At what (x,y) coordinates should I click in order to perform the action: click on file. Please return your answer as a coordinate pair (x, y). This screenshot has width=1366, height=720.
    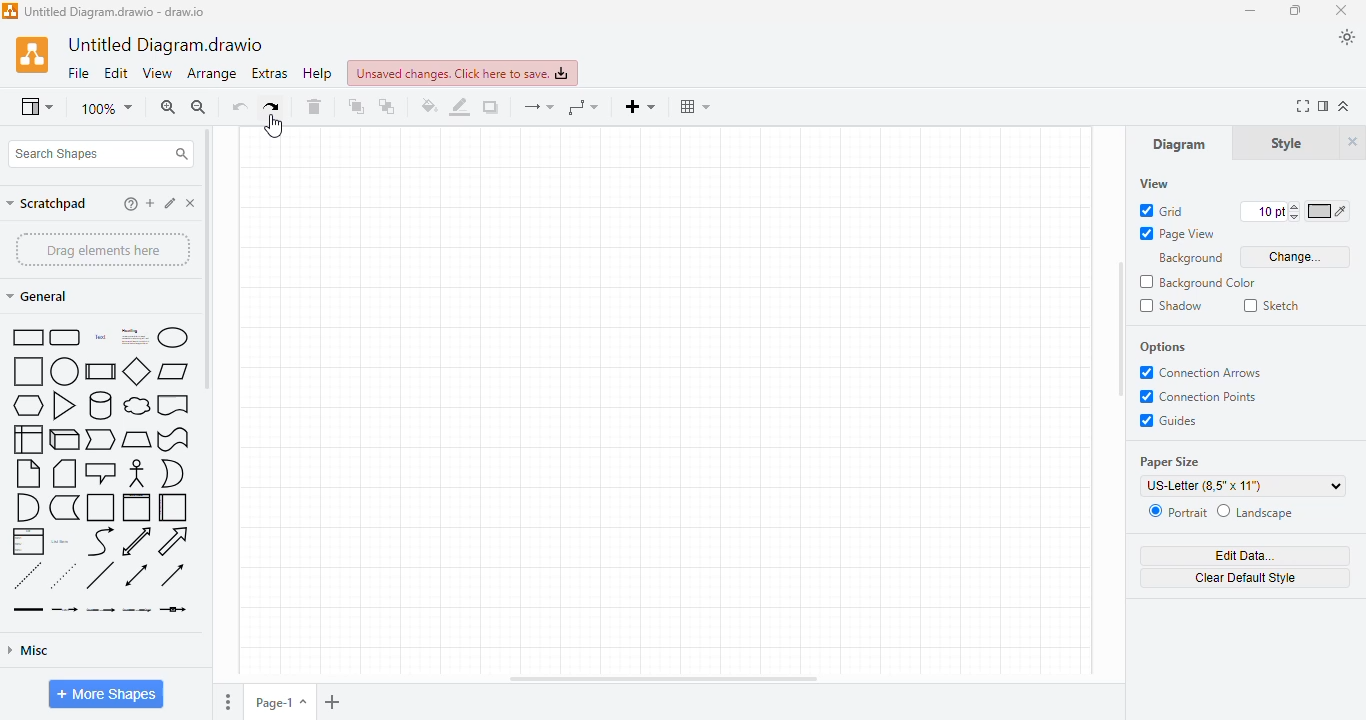
    Looking at the image, I should click on (79, 73).